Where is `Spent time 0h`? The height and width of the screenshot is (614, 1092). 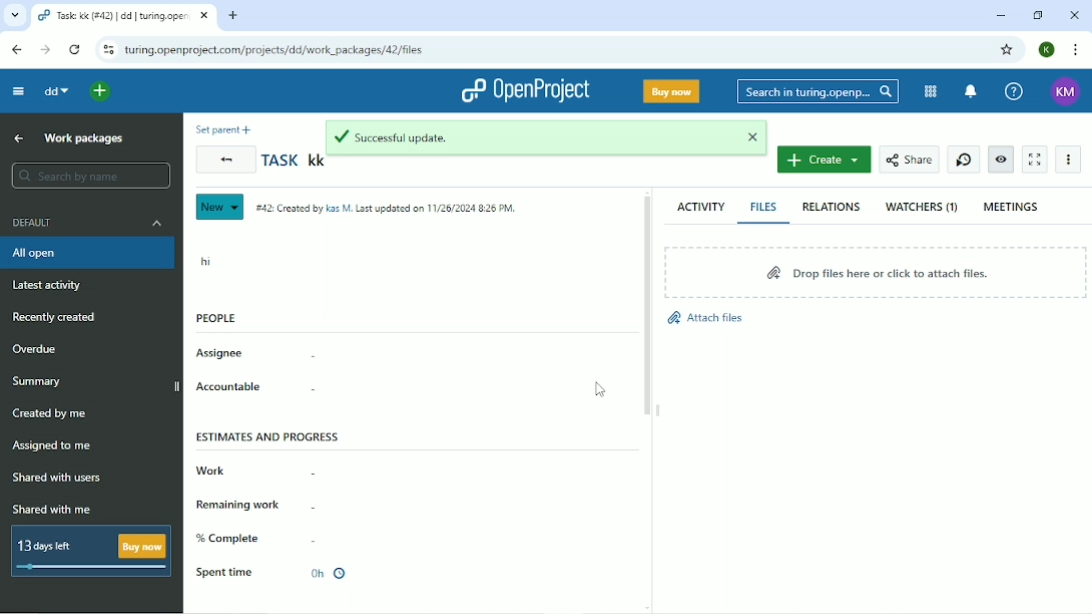 Spent time 0h is located at coordinates (276, 574).